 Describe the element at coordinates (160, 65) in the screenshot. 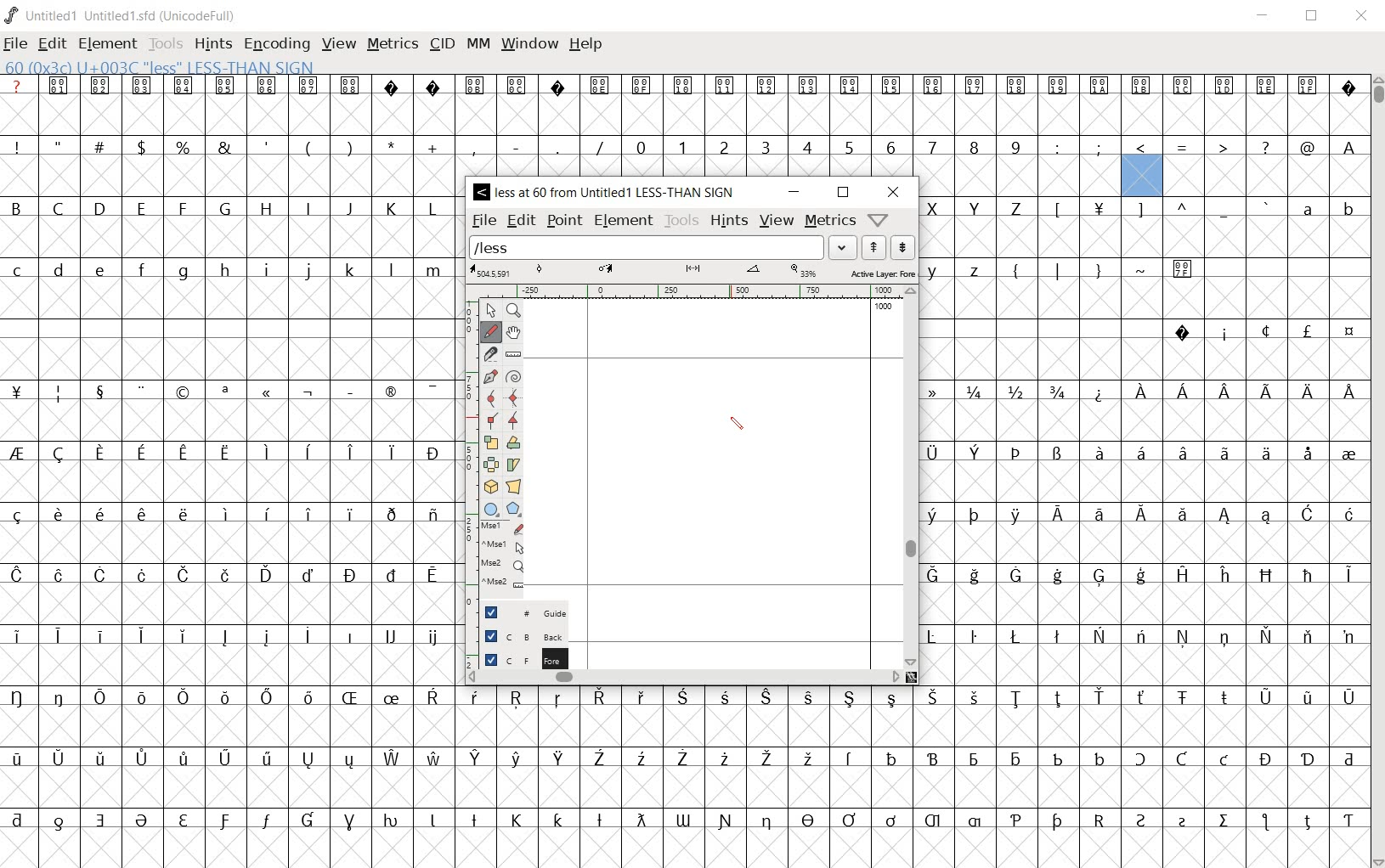

I see `60 (0*3c) U+003c "less" LESS-THAN-SIGN` at that location.